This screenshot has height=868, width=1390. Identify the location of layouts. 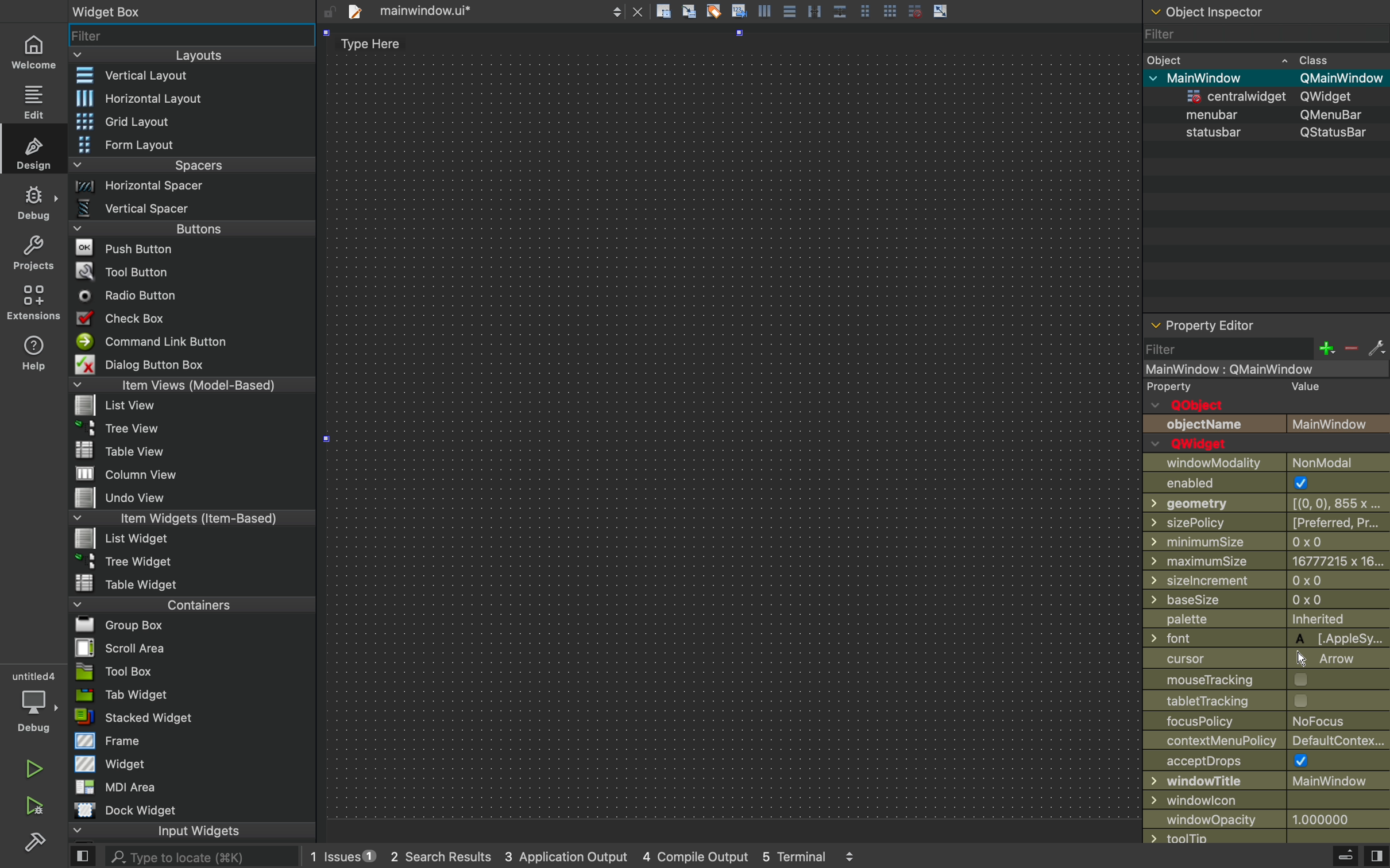
(191, 56).